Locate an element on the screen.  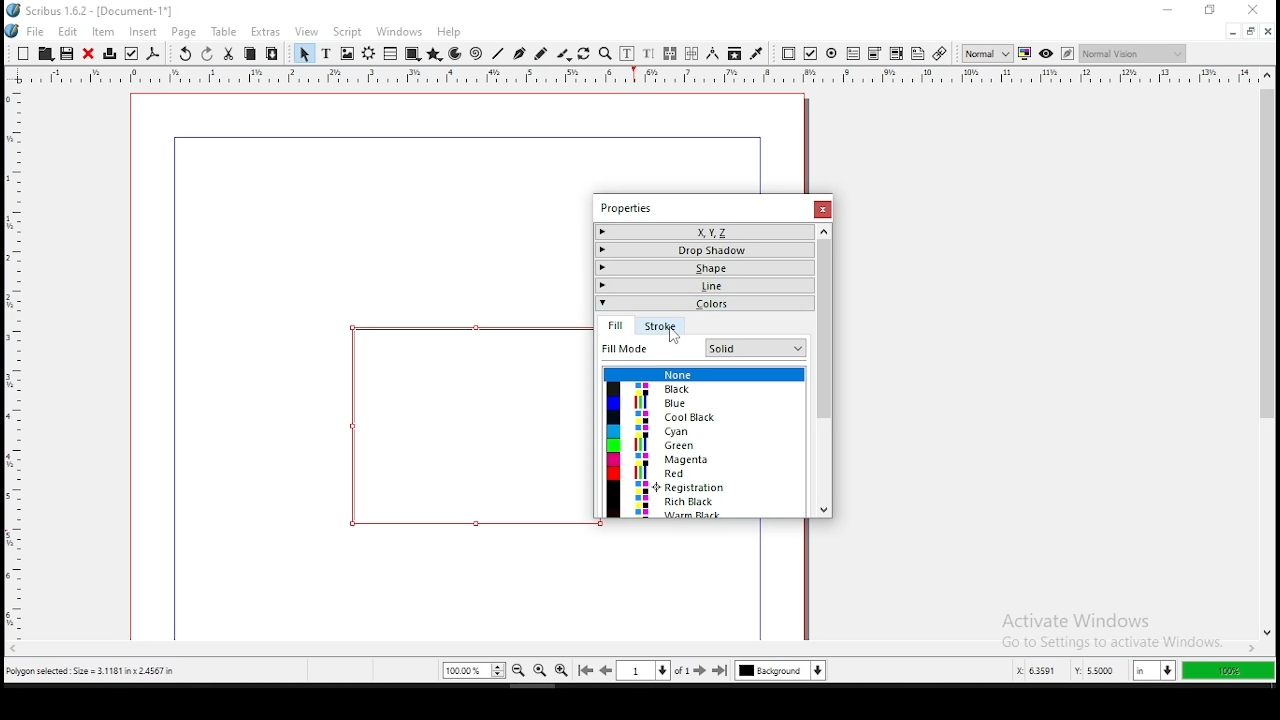
freehand line is located at coordinates (541, 53).